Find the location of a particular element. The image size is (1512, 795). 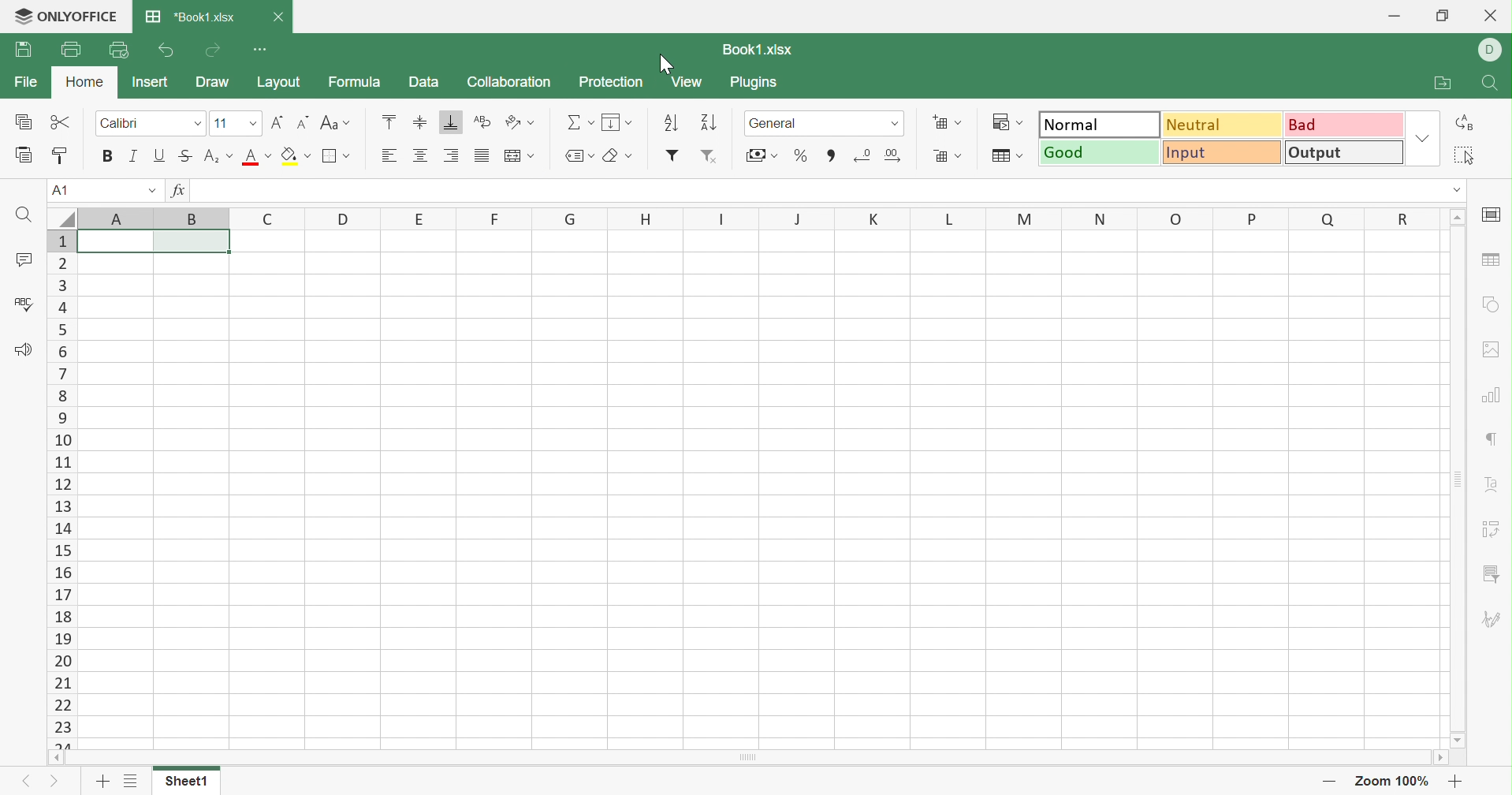

Conditional formatting is located at coordinates (1007, 122).